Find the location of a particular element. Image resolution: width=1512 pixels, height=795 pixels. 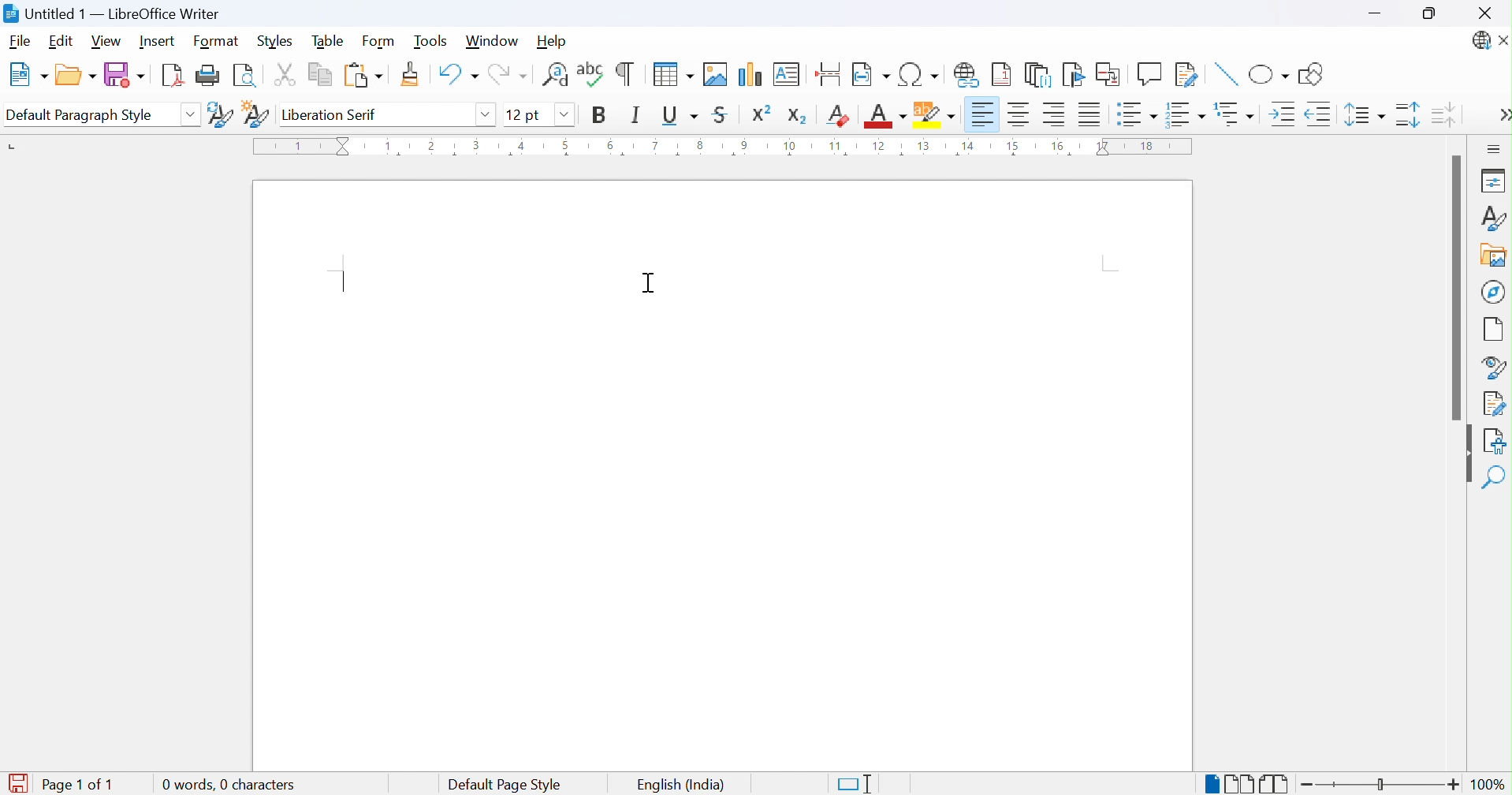

Styles is located at coordinates (1495, 219).